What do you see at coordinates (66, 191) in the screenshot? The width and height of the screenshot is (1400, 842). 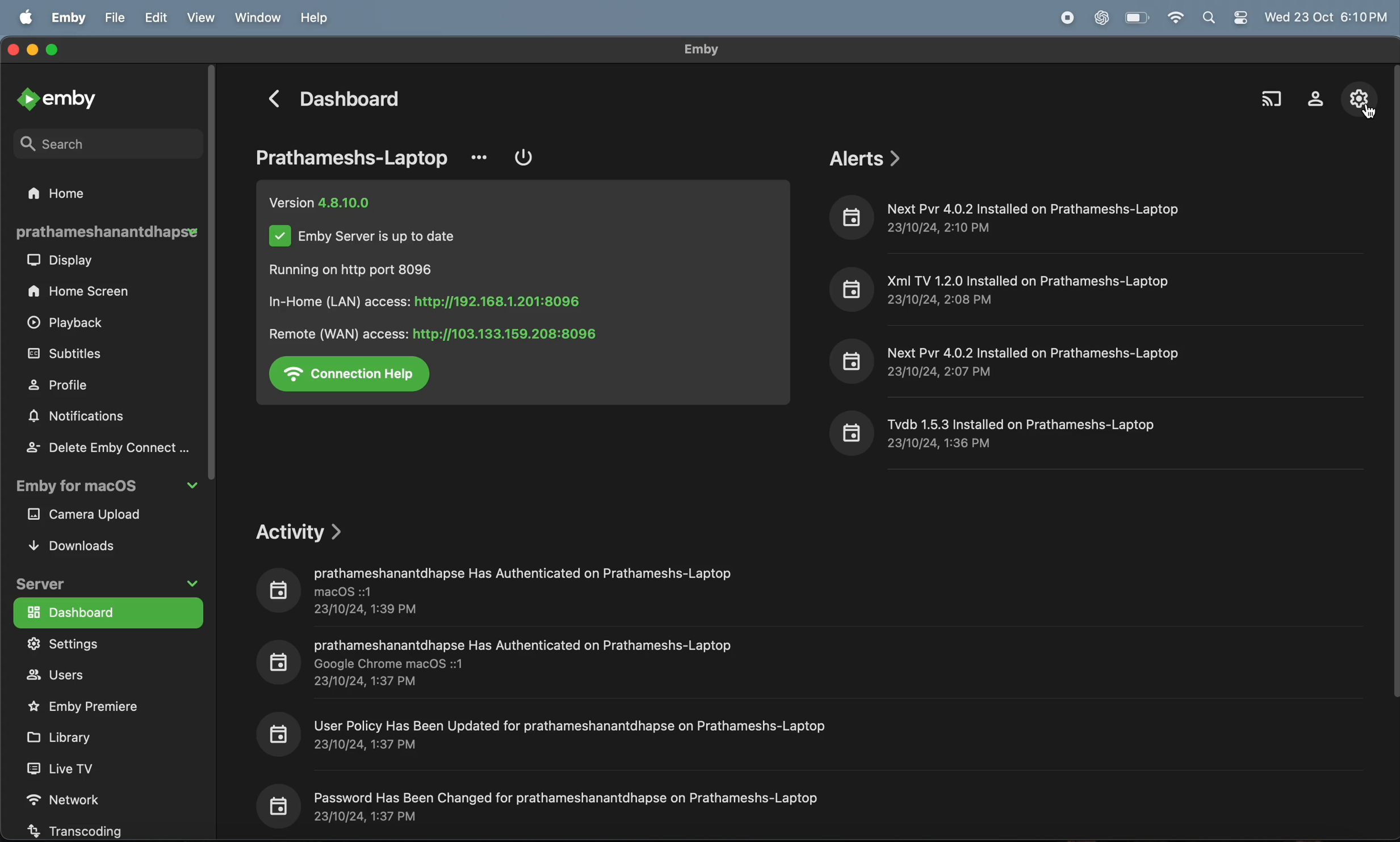 I see `home` at bounding box center [66, 191].